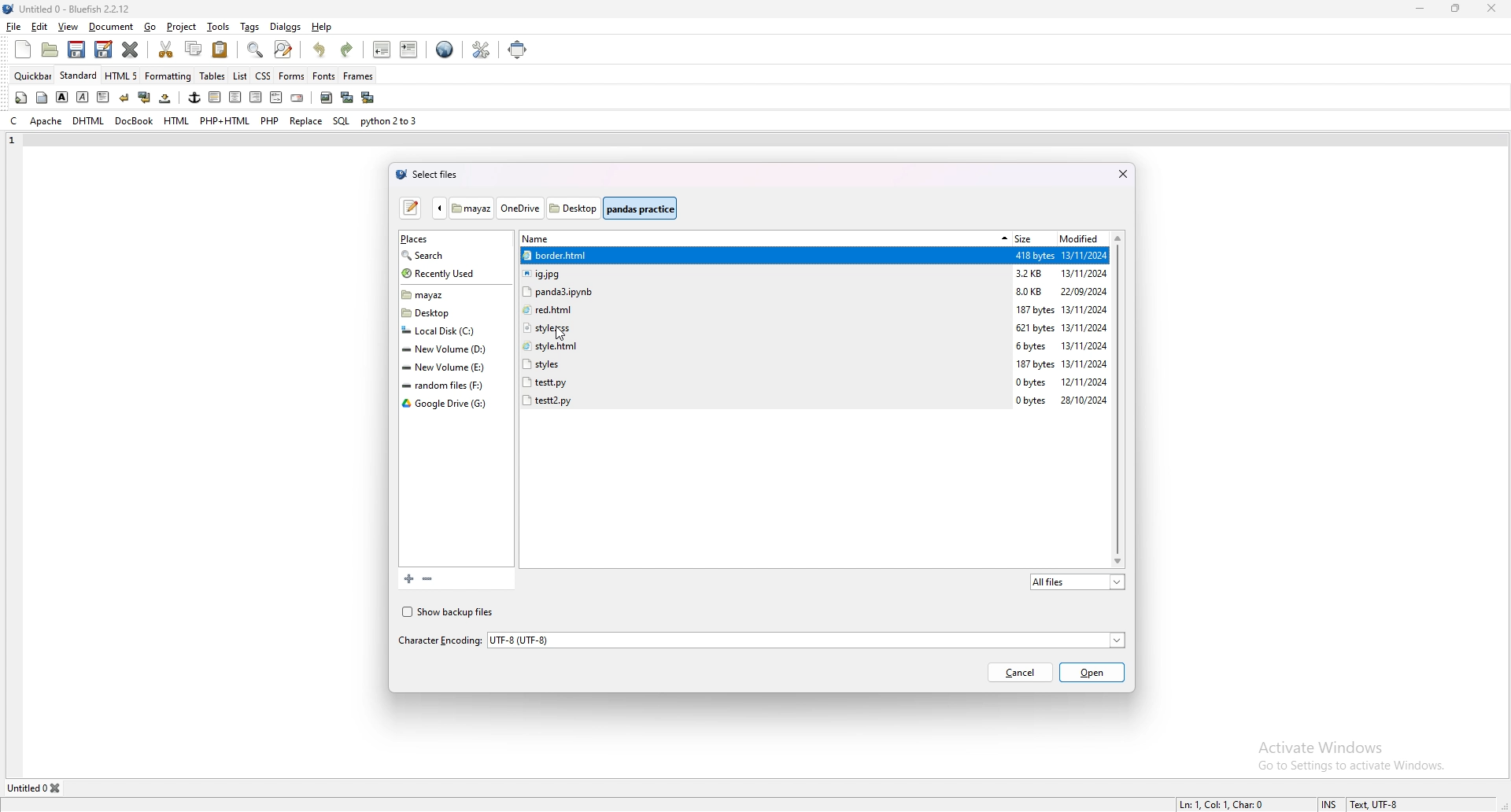 Image resolution: width=1511 pixels, height=812 pixels. Describe the element at coordinates (225, 120) in the screenshot. I see `php+html` at that location.